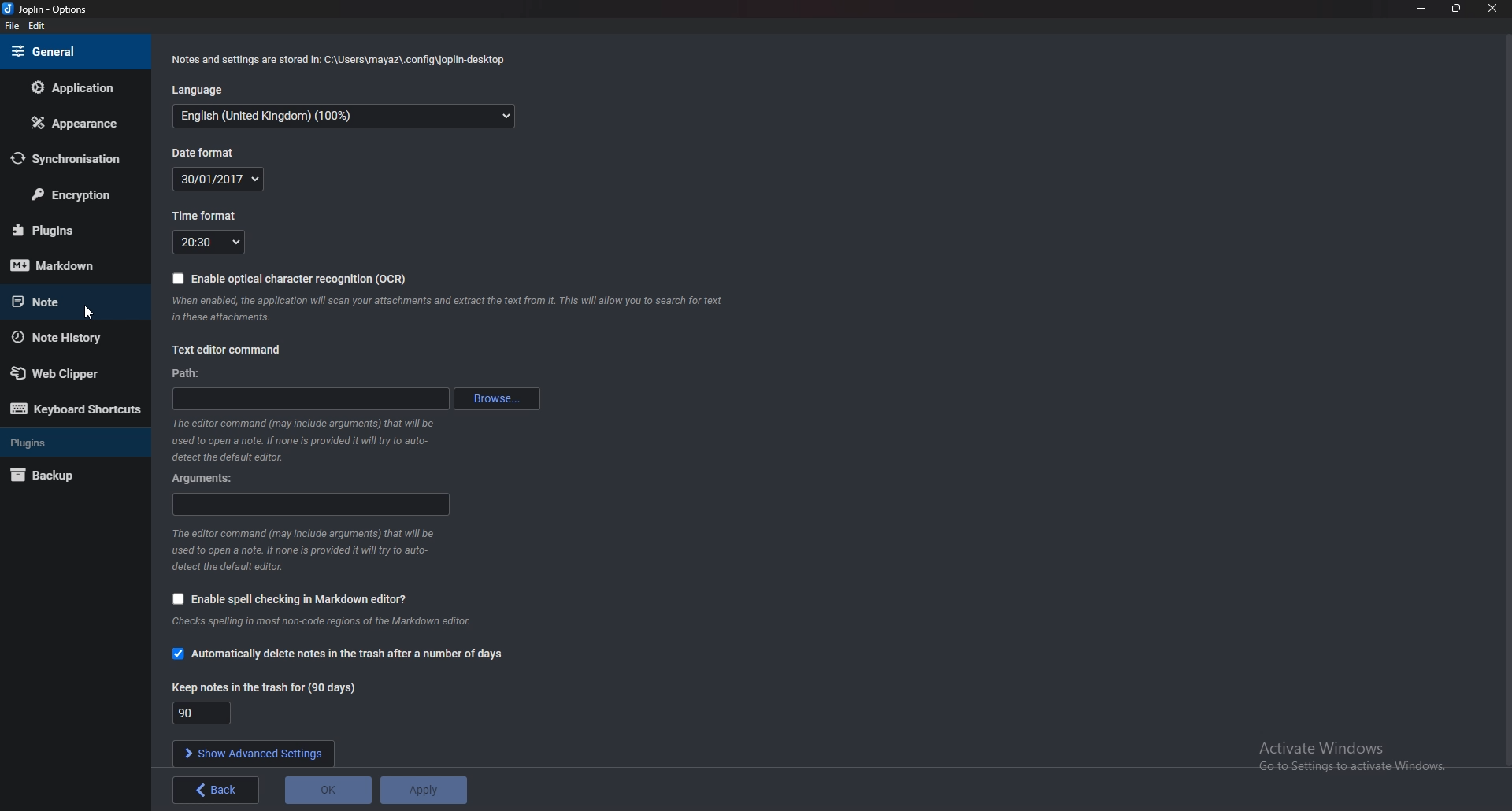 This screenshot has width=1512, height=811. Describe the element at coordinates (335, 623) in the screenshot. I see `Info` at that location.